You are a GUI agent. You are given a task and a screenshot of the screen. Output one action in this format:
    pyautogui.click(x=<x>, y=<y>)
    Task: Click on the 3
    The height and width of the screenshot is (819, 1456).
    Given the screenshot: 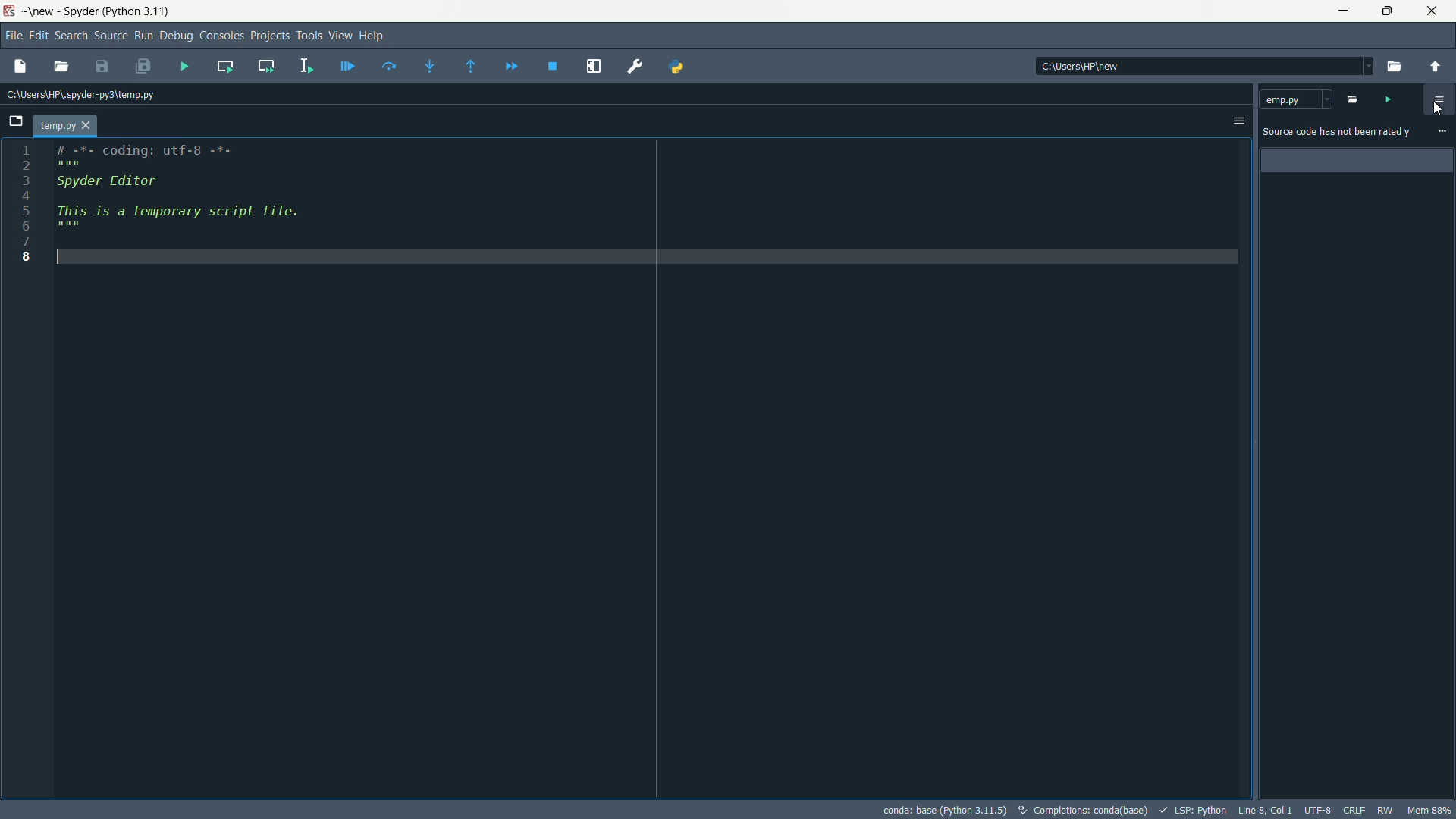 What is the action you would take?
    pyautogui.click(x=29, y=180)
    